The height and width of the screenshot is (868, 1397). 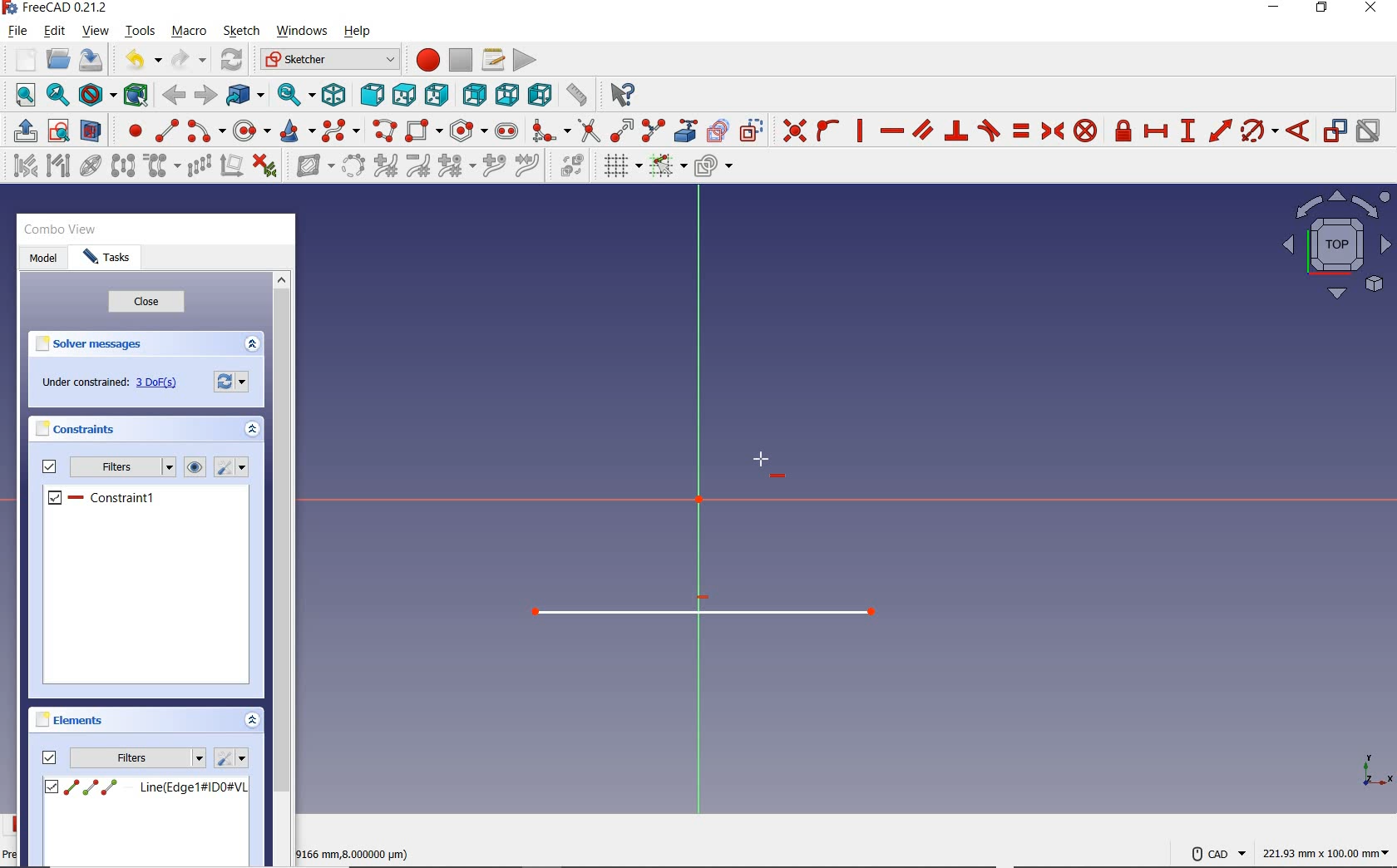 I want to click on UNDO, so click(x=141, y=62).